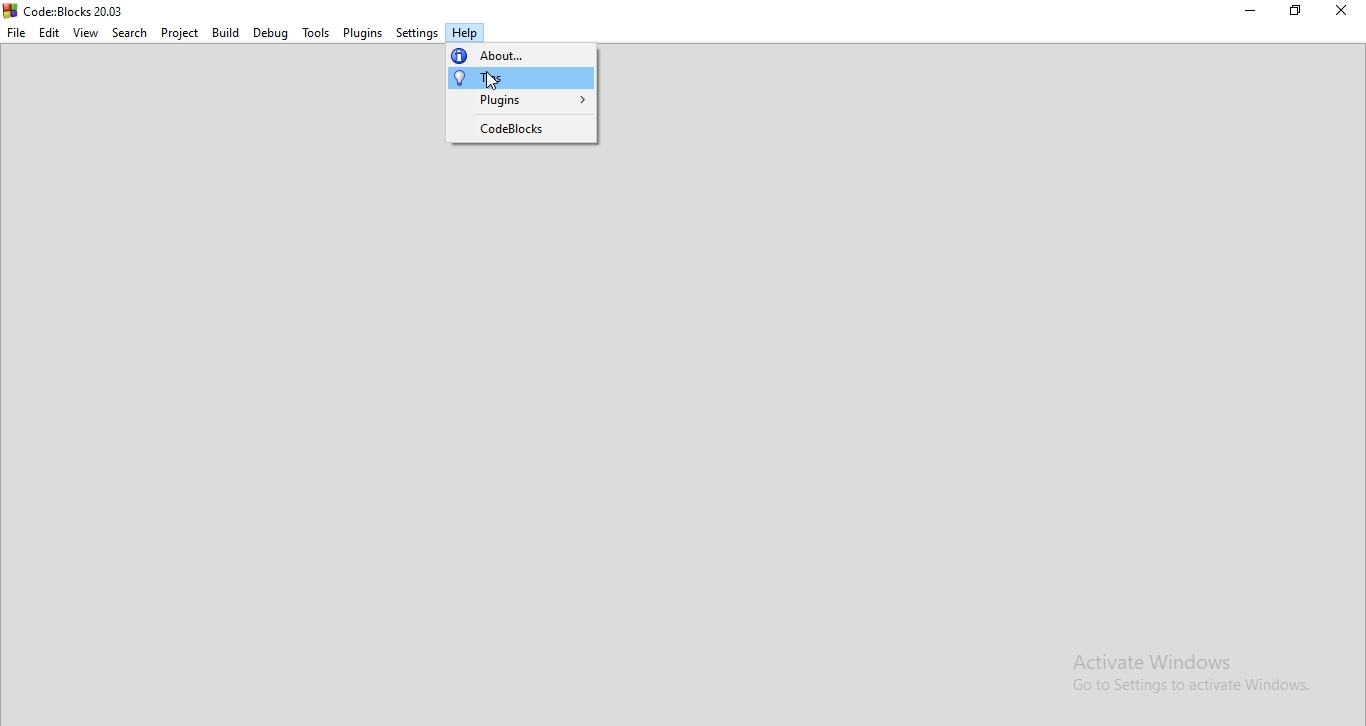 The width and height of the screenshot is (1366, 726). Describe the element at coordinates (15, 33) in the screenshot. I see `File` at that location.